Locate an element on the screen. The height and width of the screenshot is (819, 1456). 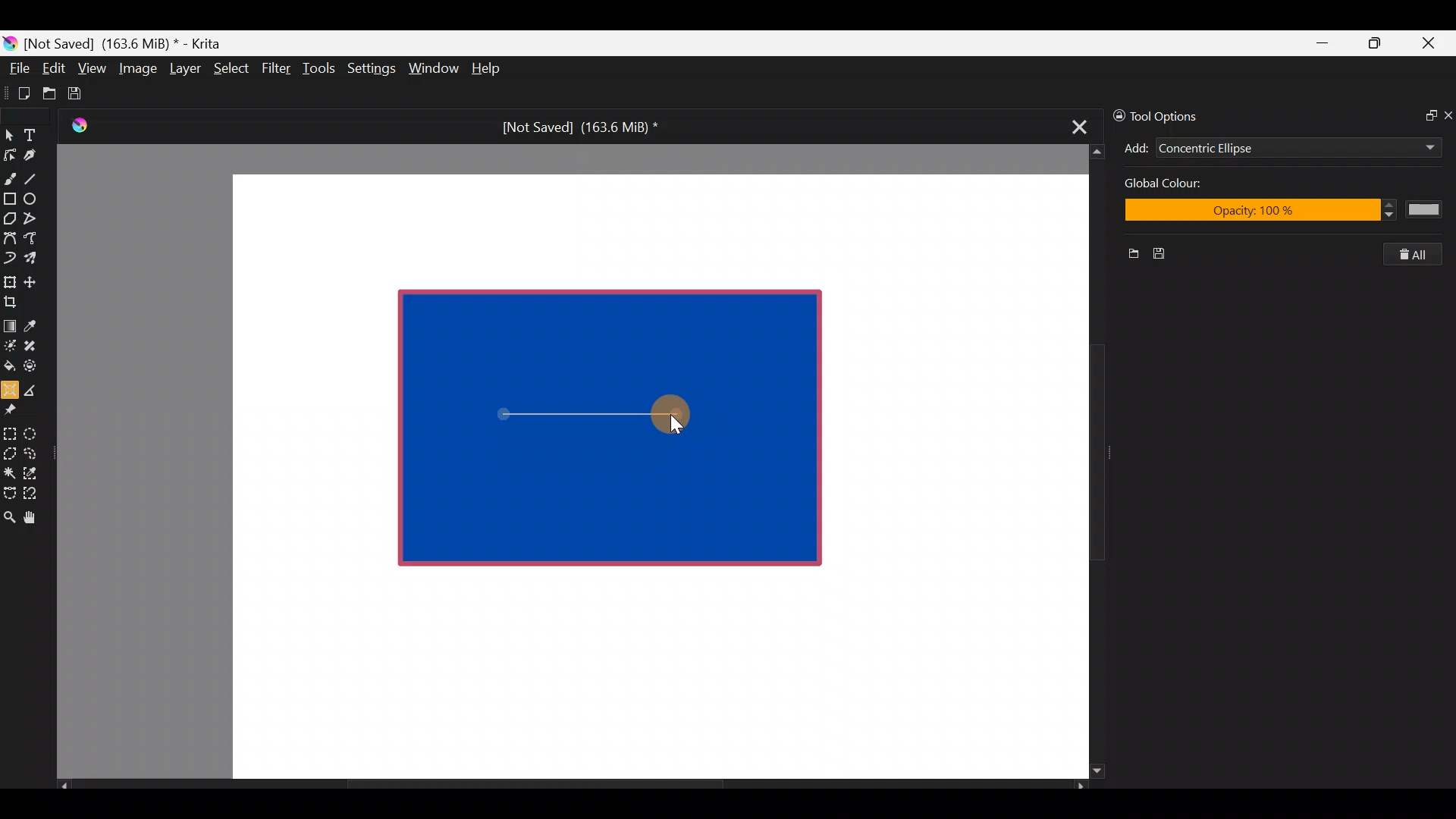
Image is located at coordinates (137, 68).